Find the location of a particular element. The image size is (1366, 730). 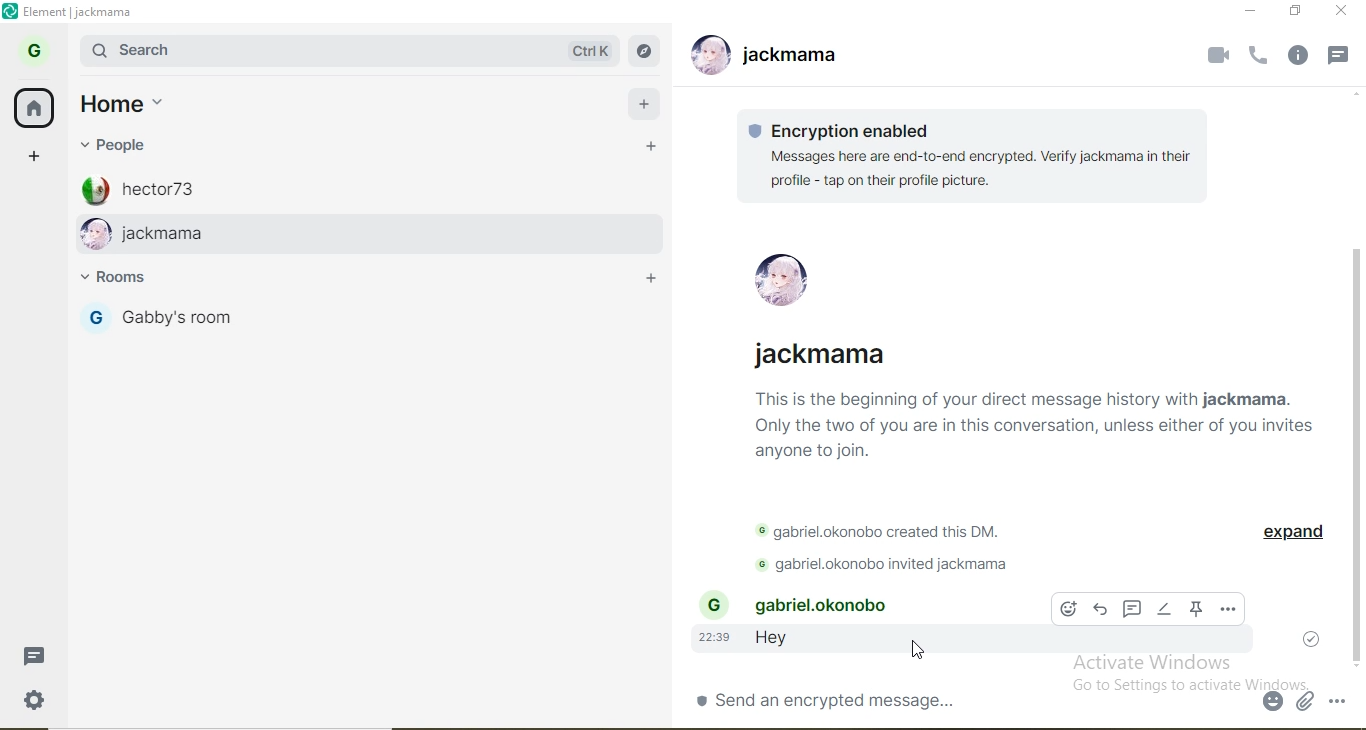

settings is located at coordinates (31, 698).